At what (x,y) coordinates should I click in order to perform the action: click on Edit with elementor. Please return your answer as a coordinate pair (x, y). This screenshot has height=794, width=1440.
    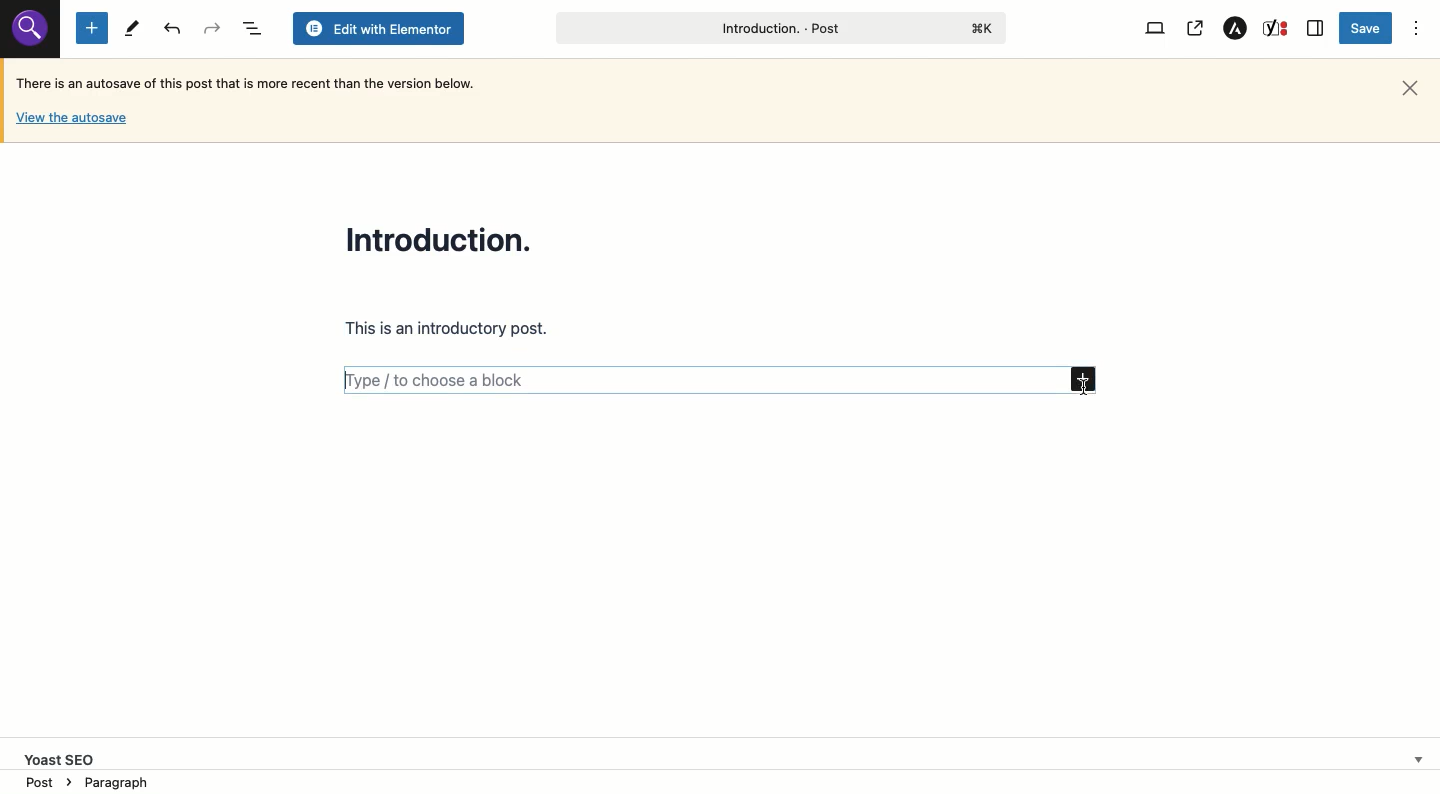
    Looking at the image, I should click on (378, 29).